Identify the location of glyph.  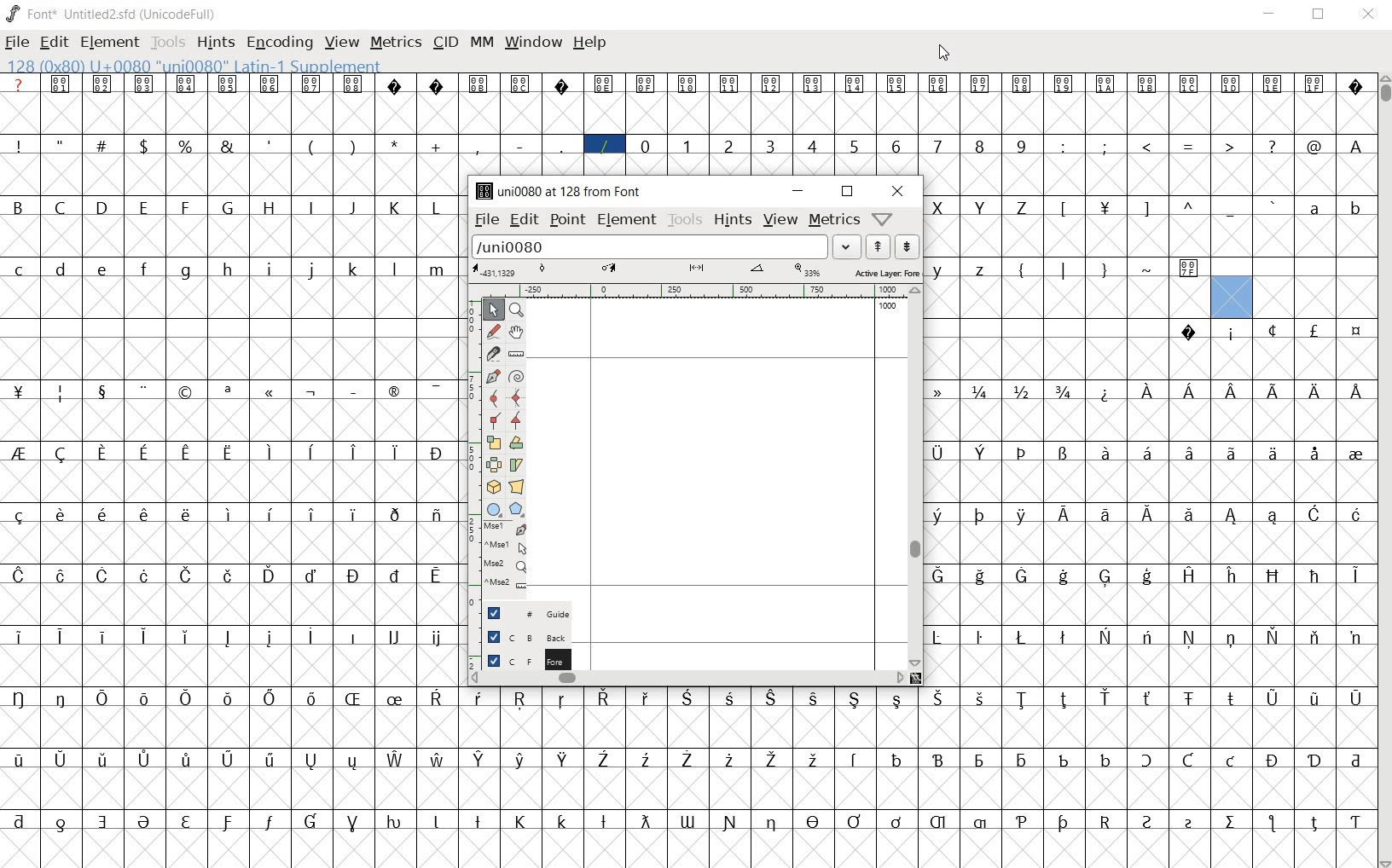
(980, 576).